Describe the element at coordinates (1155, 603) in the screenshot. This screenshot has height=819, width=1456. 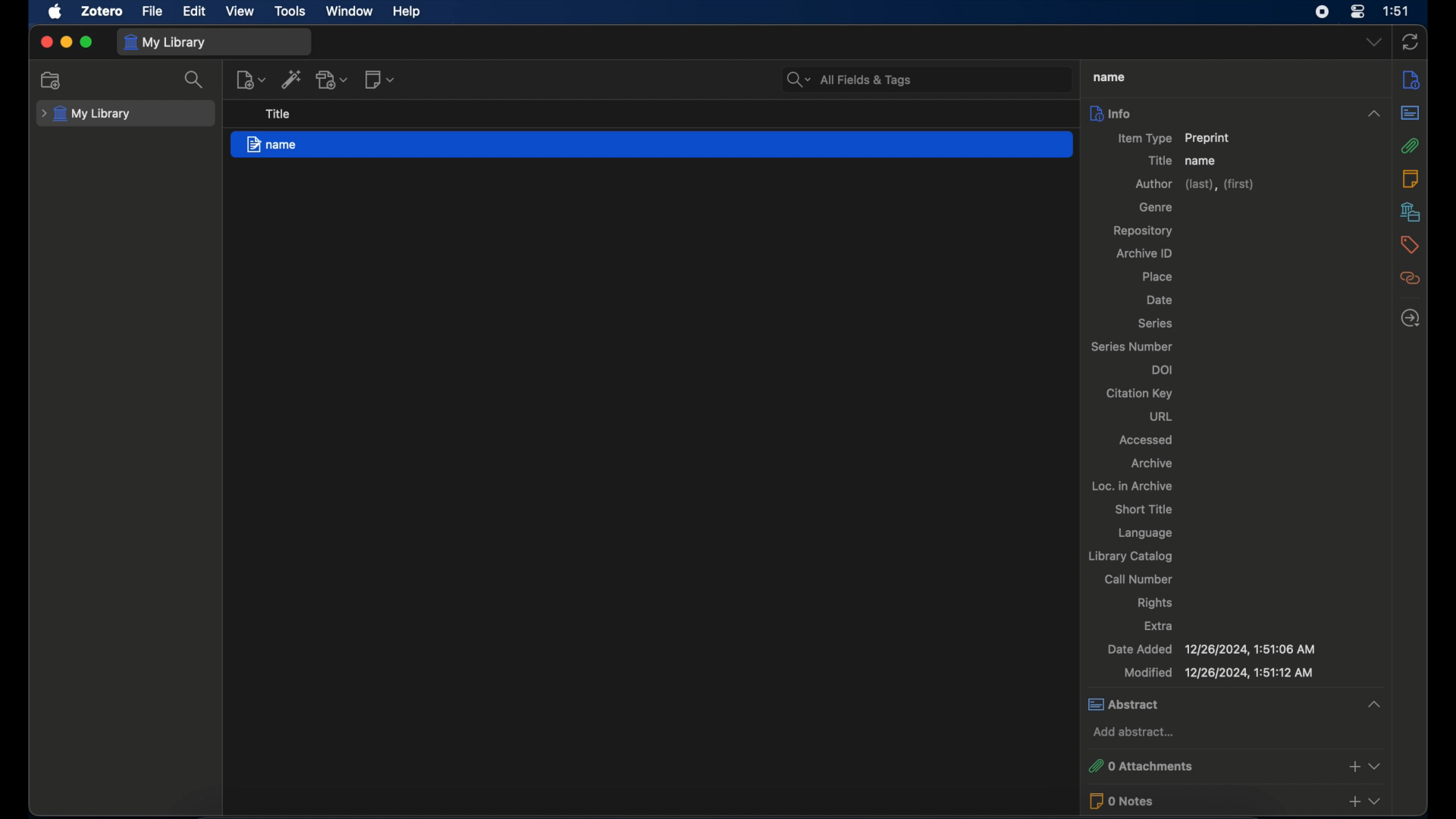
I see `rights` at that location.